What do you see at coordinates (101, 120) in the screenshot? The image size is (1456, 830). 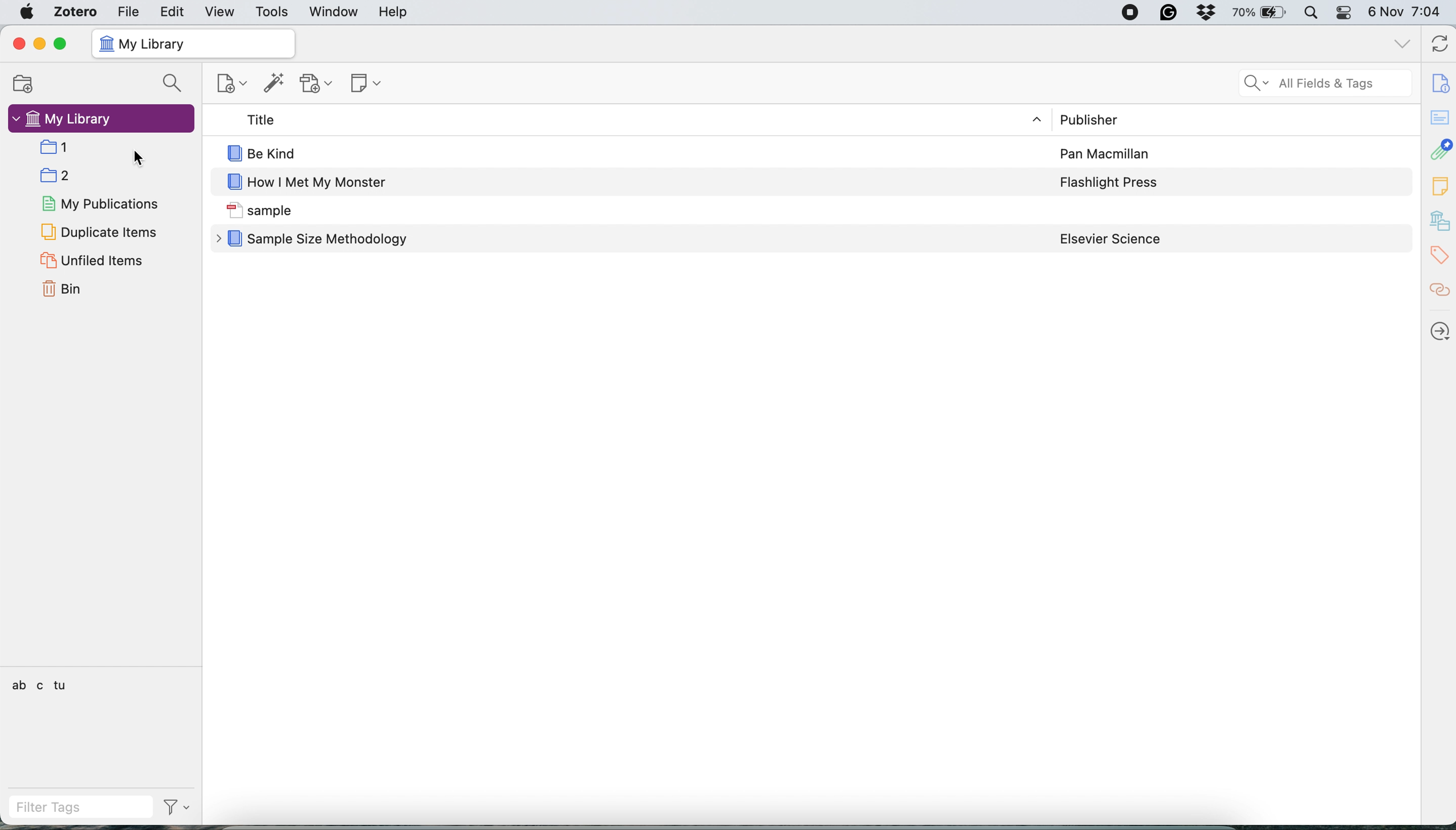 I see `selected my library` at bounding box center [101, 120].